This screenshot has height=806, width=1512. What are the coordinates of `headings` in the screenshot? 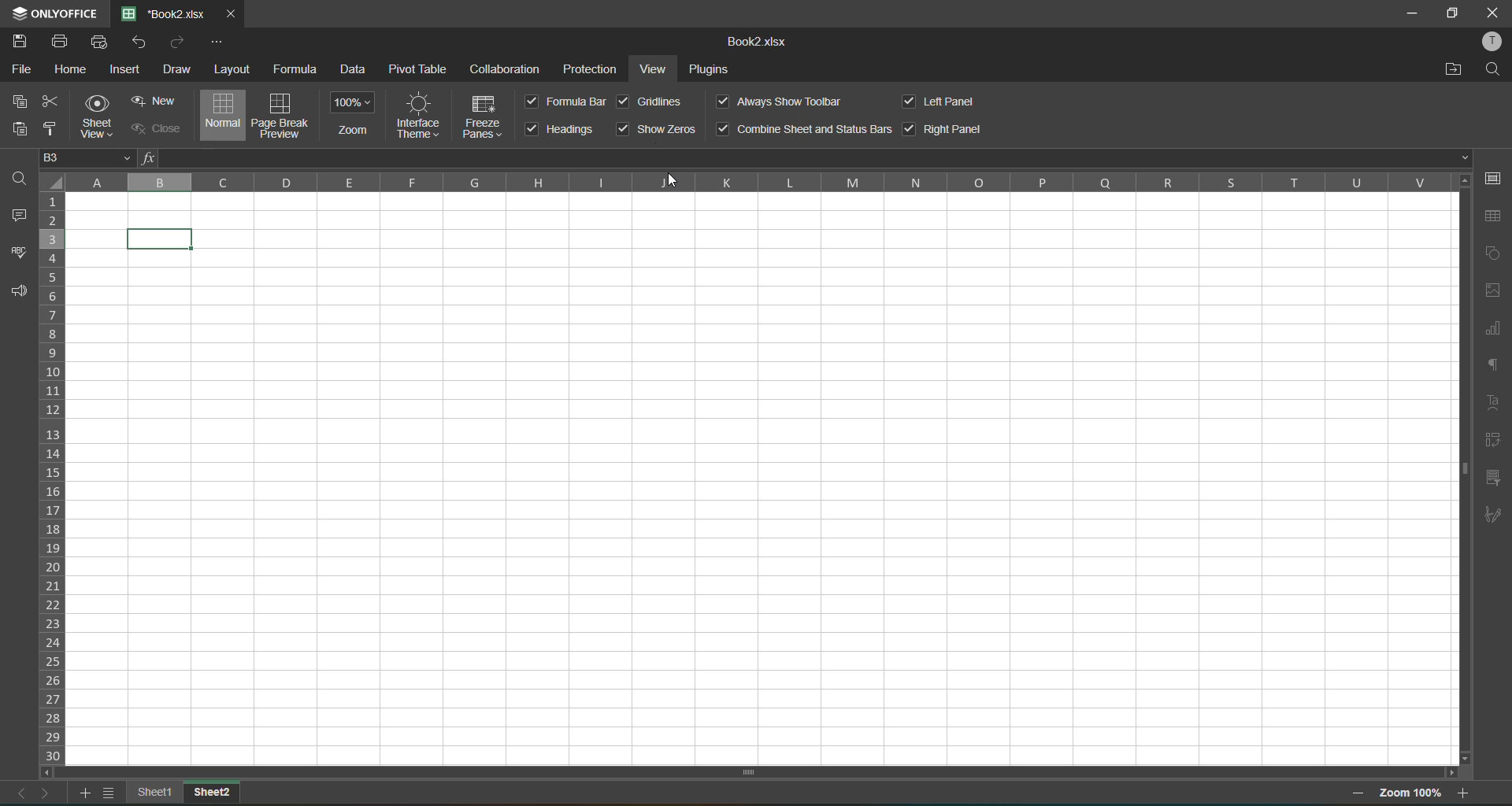 It's located at (562, 129).